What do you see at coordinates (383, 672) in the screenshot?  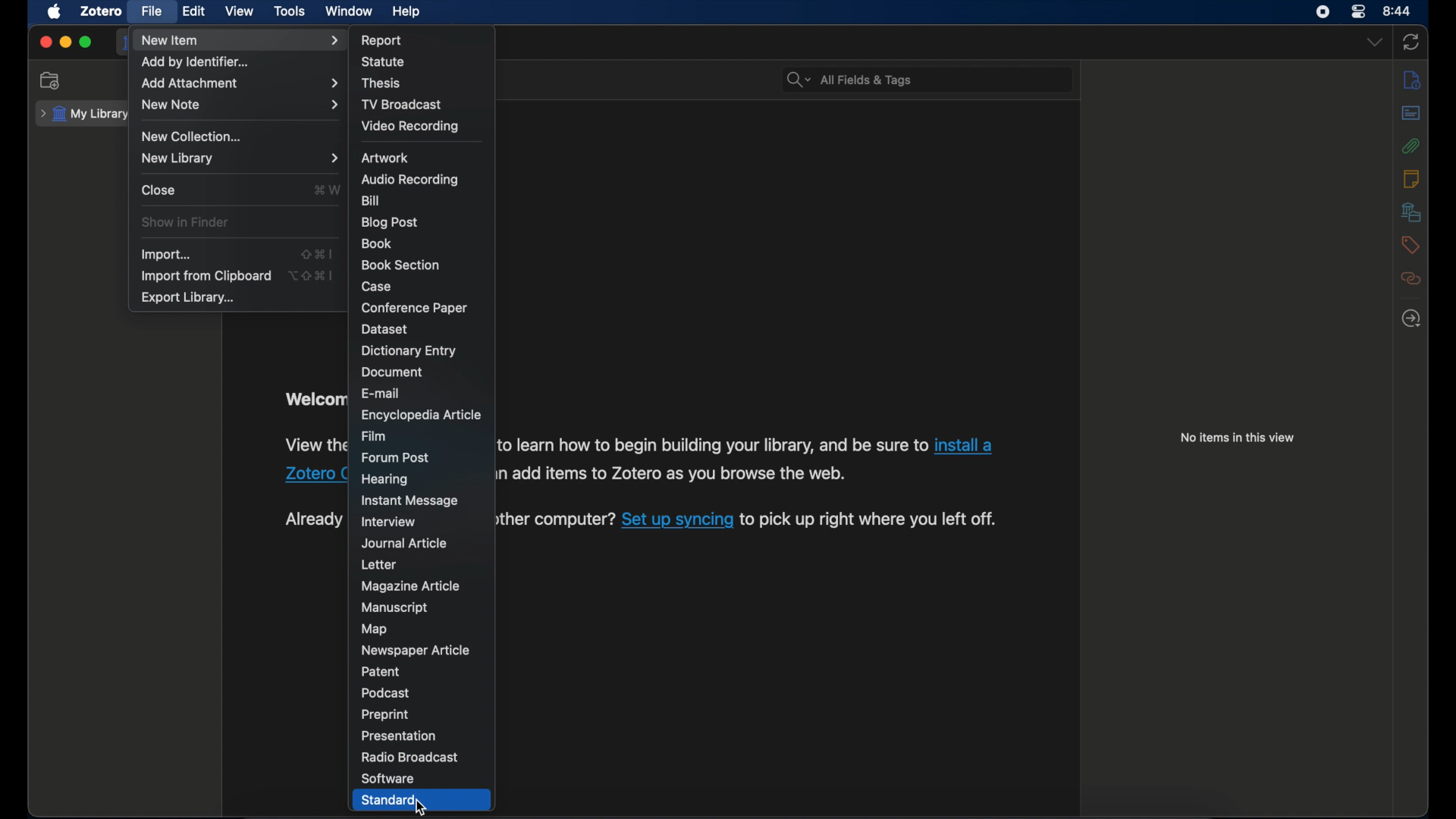 I see `patent` at bounding box center [383, 672].